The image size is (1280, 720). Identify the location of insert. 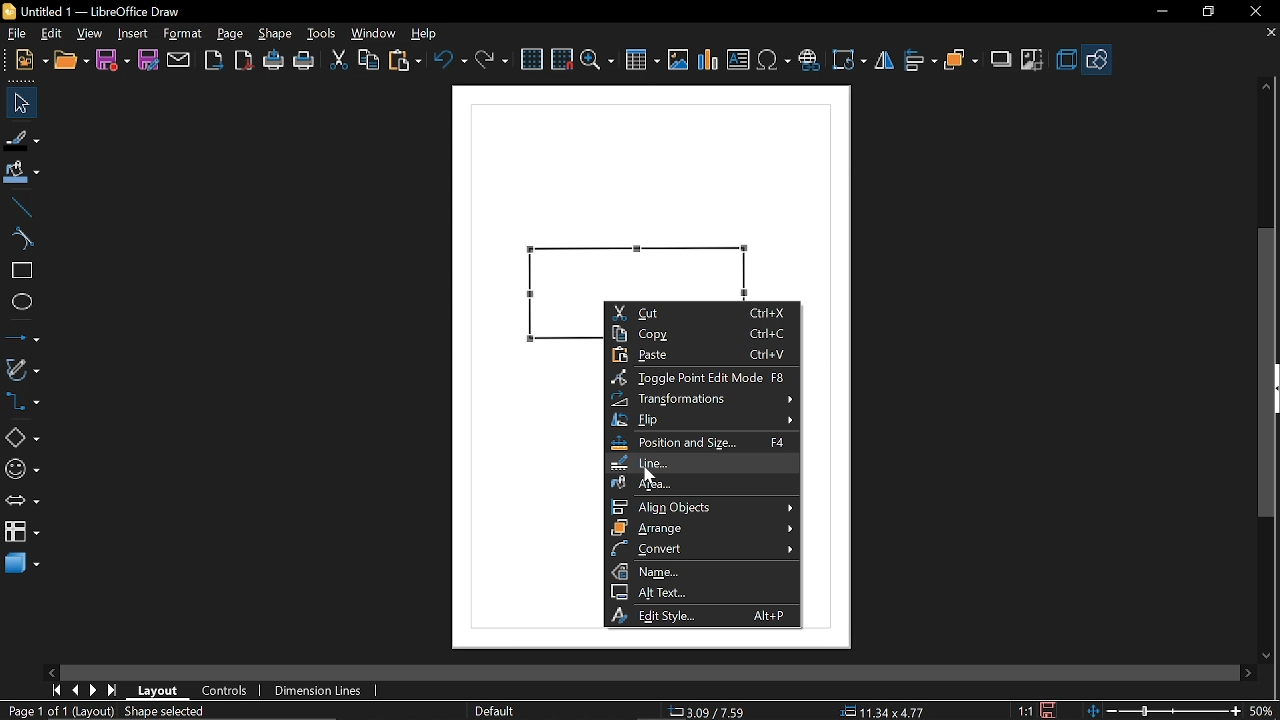
(136, 34).